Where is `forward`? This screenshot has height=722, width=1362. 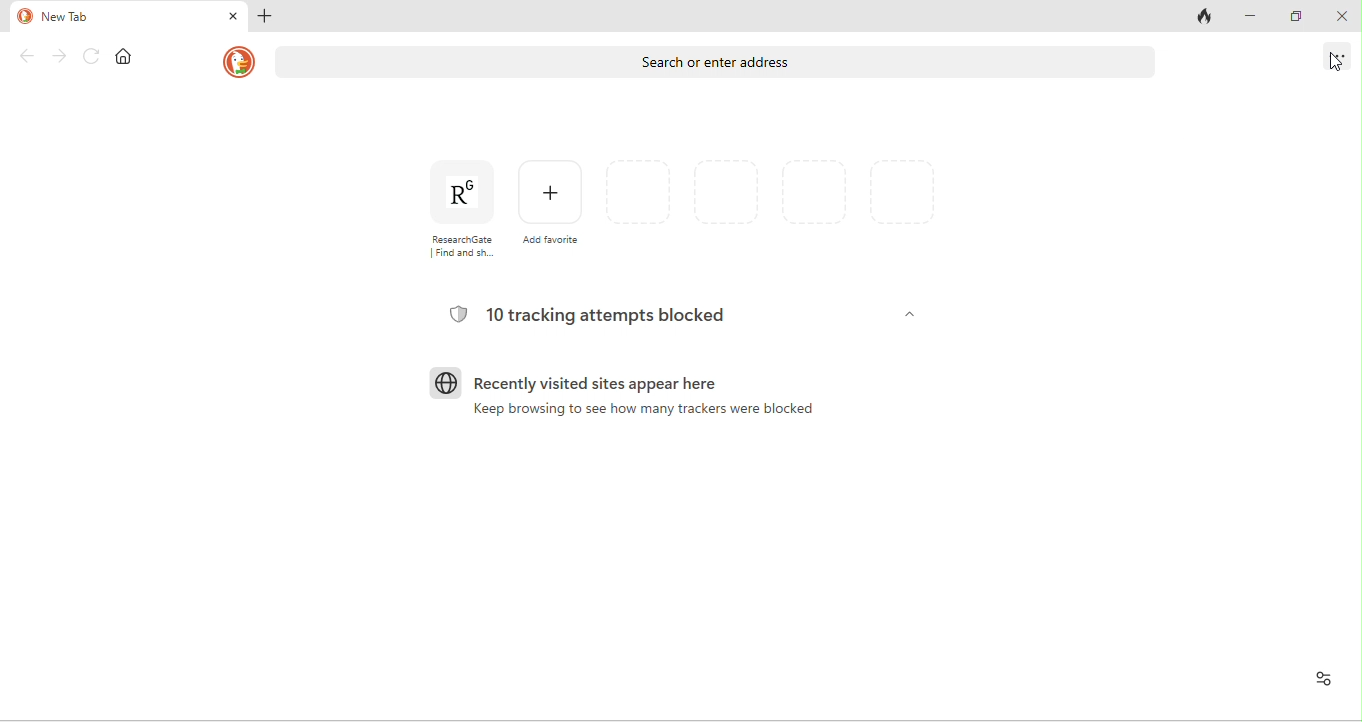
forward is located at coordinates (59, 56).